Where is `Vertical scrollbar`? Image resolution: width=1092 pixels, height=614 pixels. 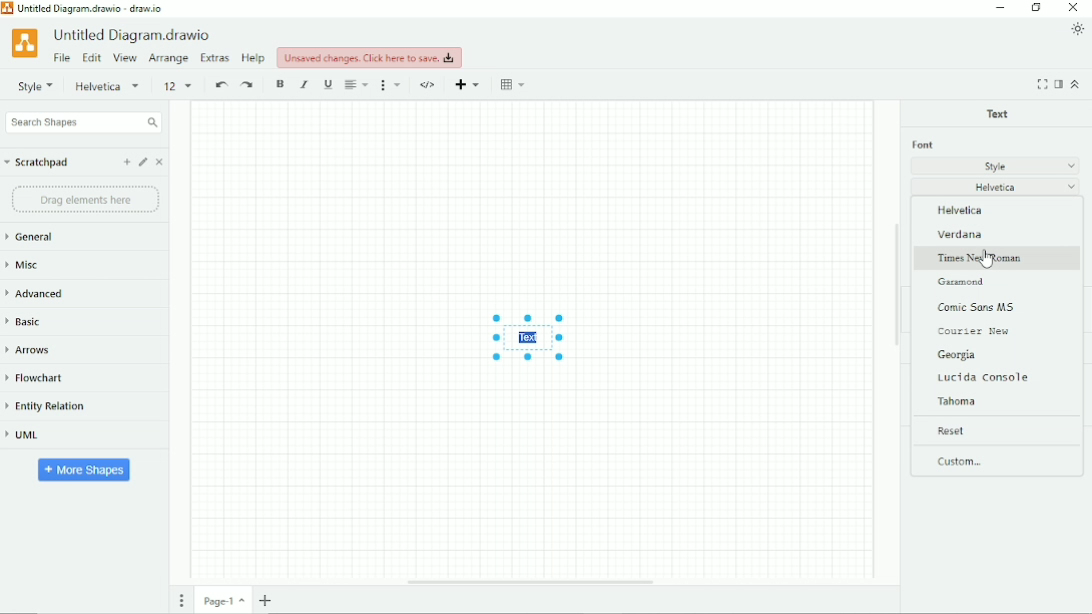
Vertical scrollbar is located at coordinates (896, 284).